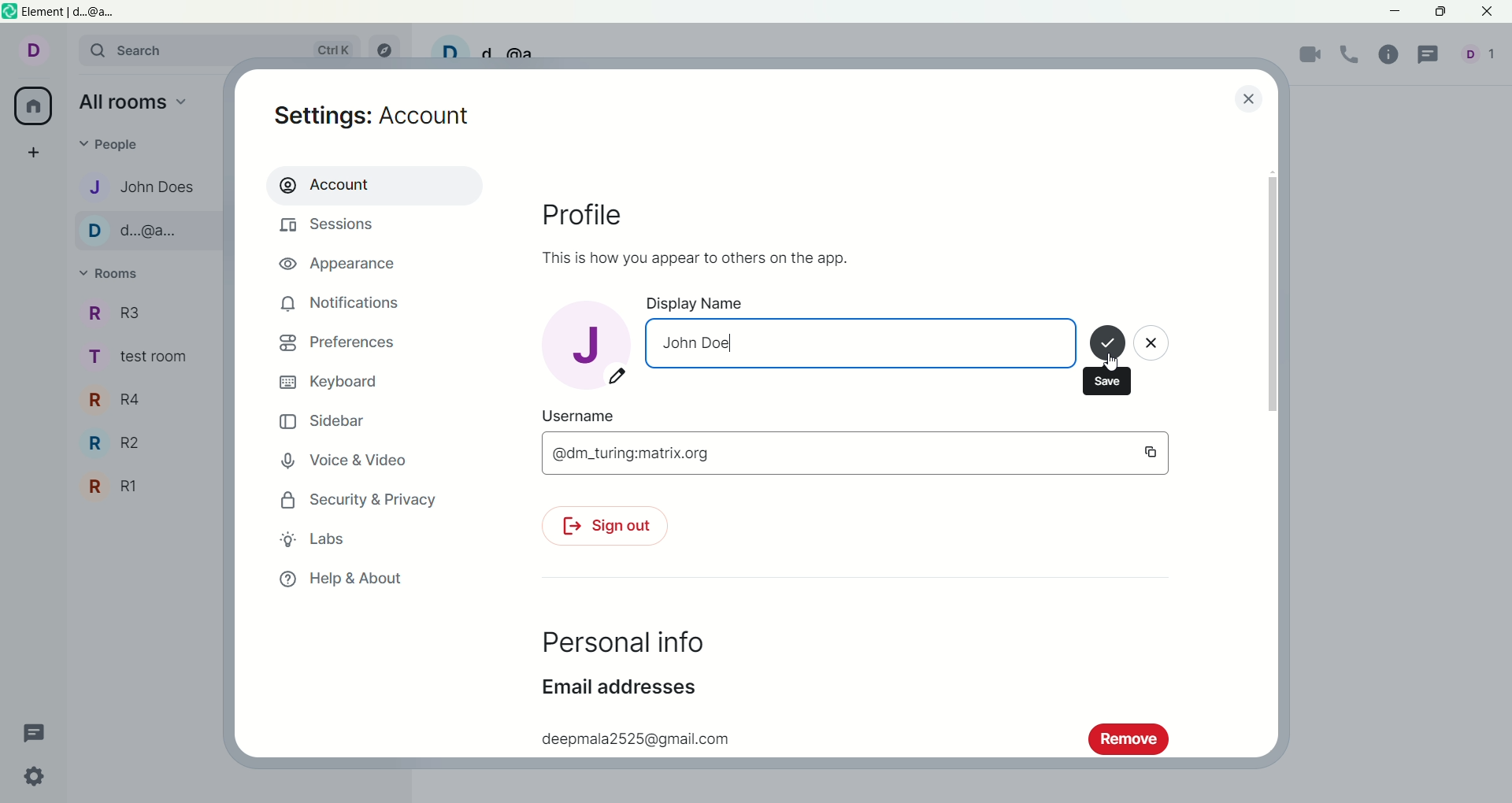  I want to click on D..@a.., so click(140, 232).